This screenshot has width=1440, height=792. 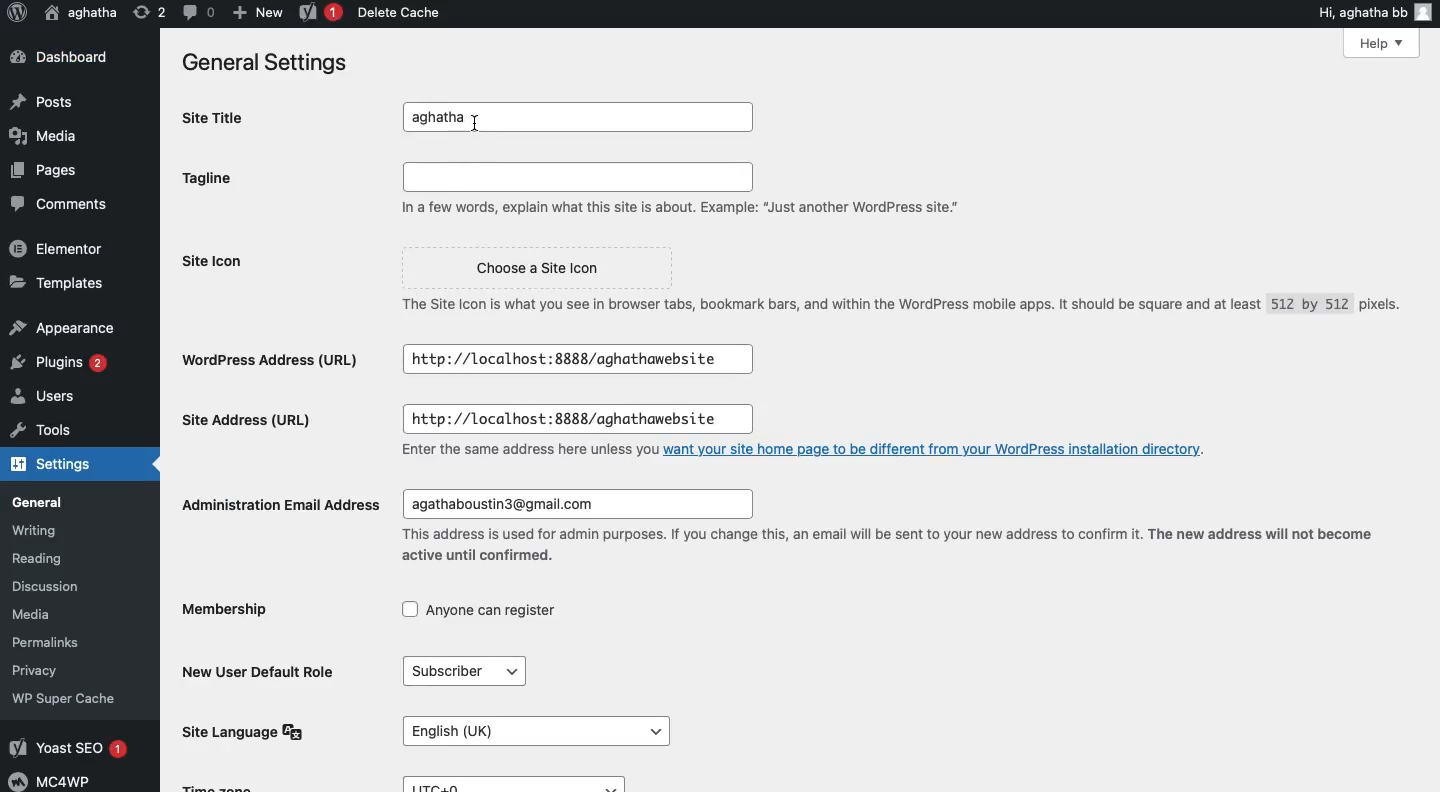 What do you see at coordinates (55, 205) in the screenshot?
I see `Comments` at bounding box center [55, 205].